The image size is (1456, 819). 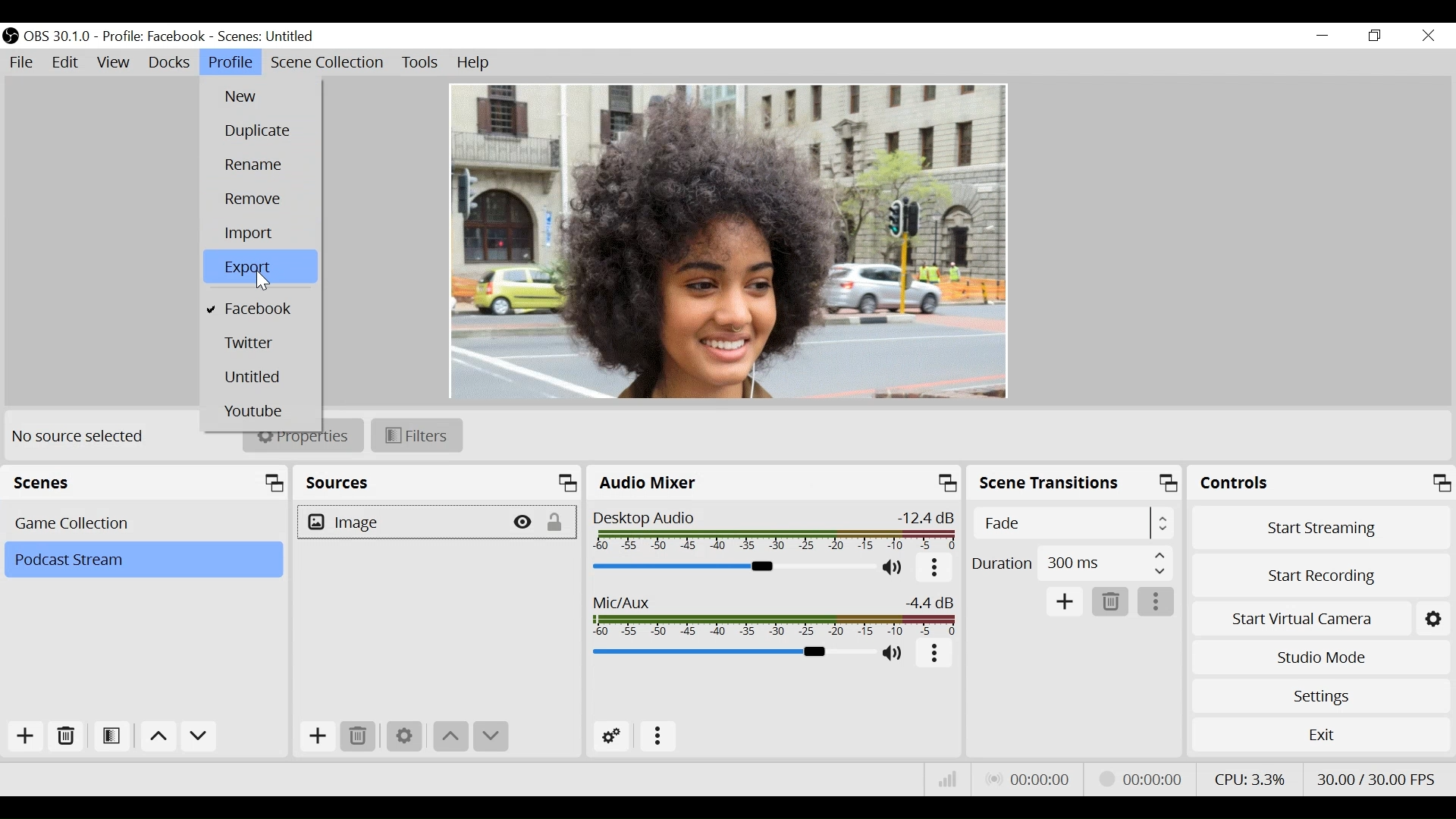 I want to click on minimize, so click(x=1323, y=37).